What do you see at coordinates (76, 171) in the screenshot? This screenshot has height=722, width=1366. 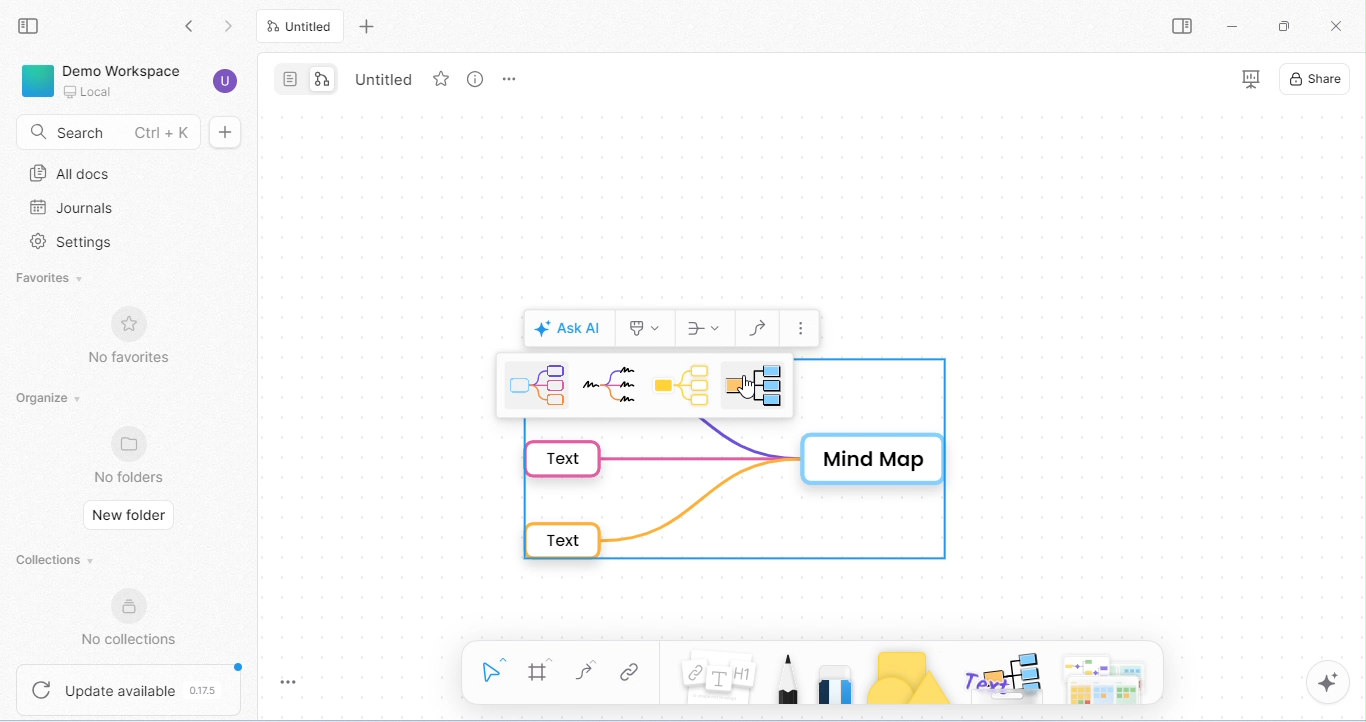 I see `all docs` at bounding box center [76, 171].